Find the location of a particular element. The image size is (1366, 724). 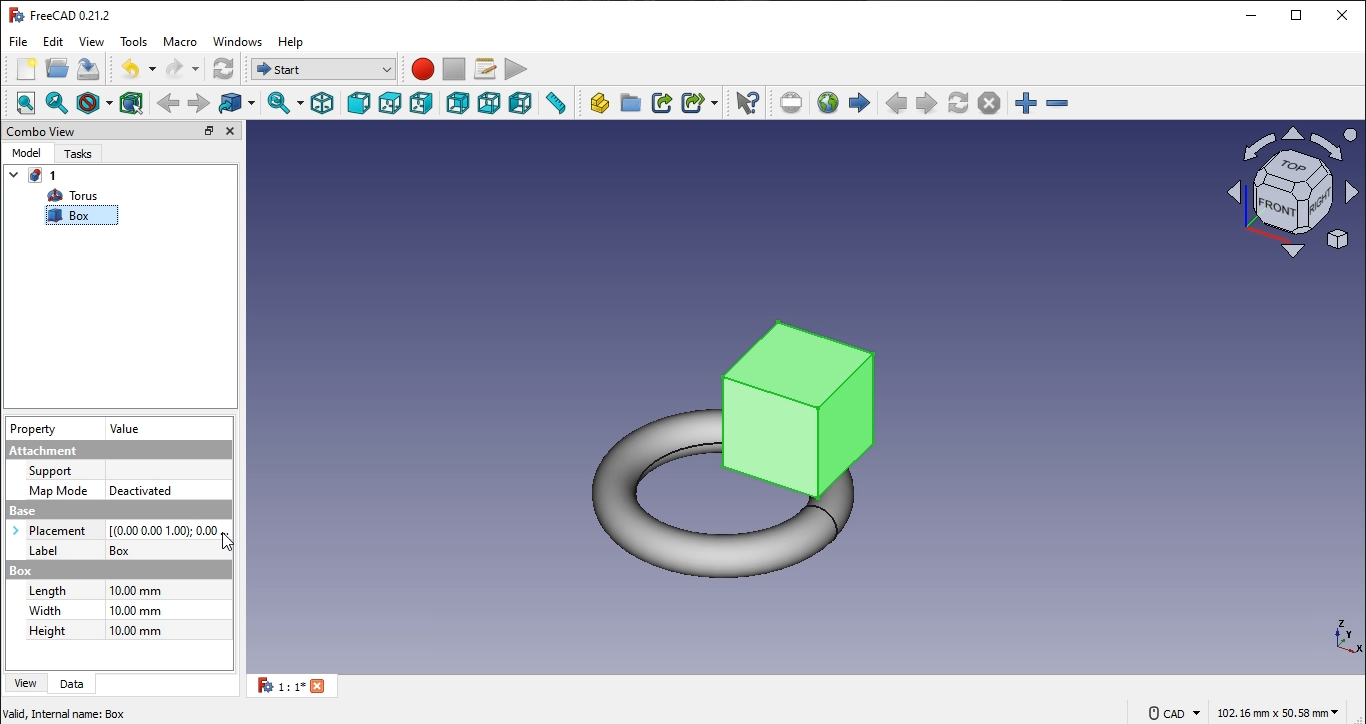

go to linked object is located at coordinates (238, 102).